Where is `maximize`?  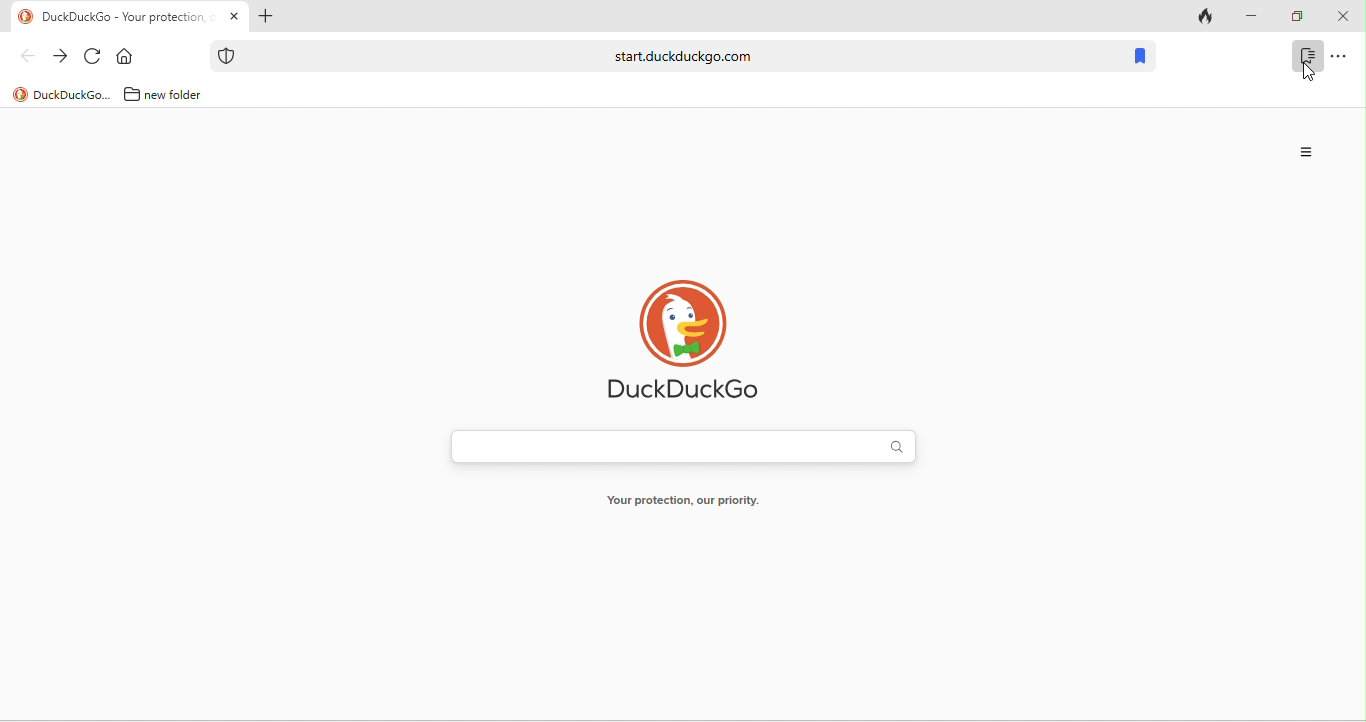 maximize is located at coordinates (1298, 17).